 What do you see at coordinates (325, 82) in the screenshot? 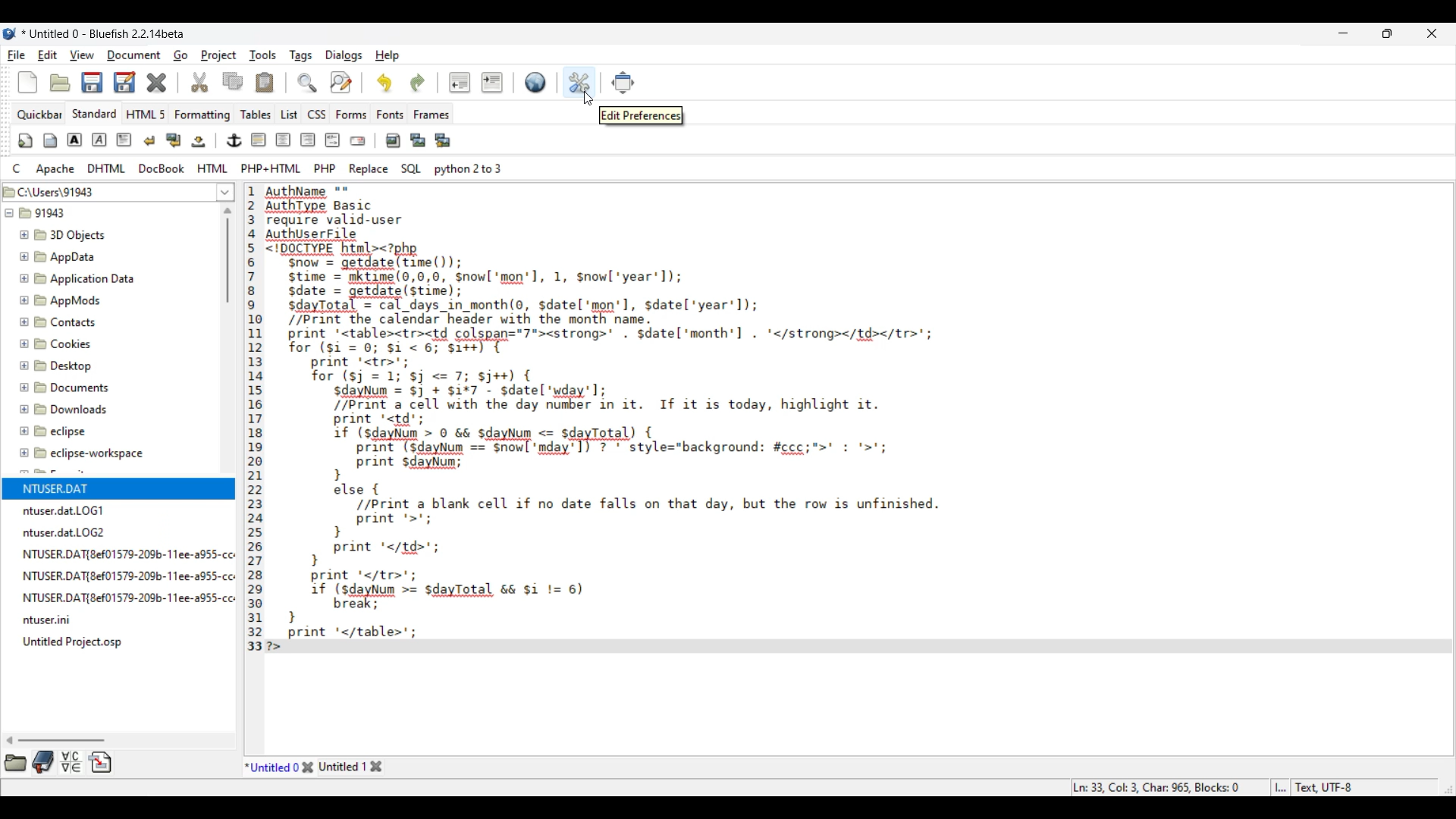
I see `Search and find` at bounding box center [325, 82].